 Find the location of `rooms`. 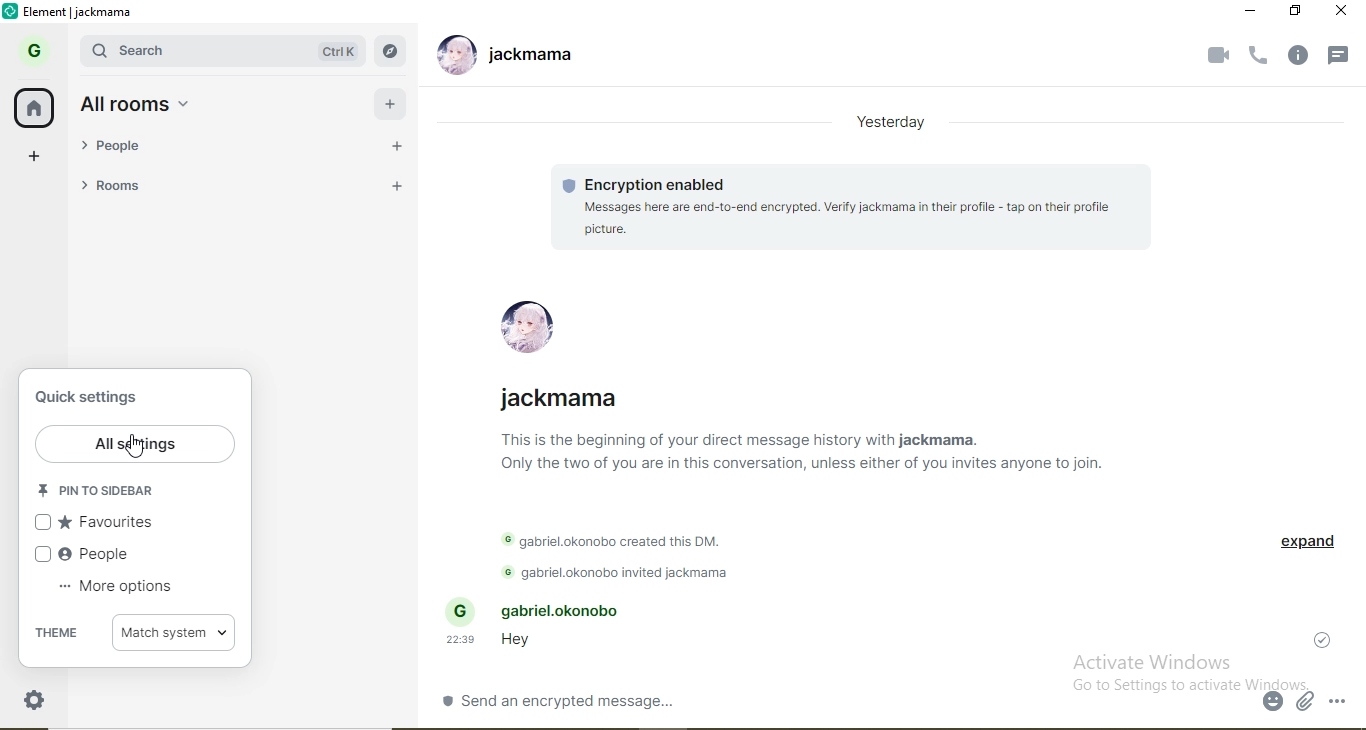

rooms is located at coordinates (130, 188).